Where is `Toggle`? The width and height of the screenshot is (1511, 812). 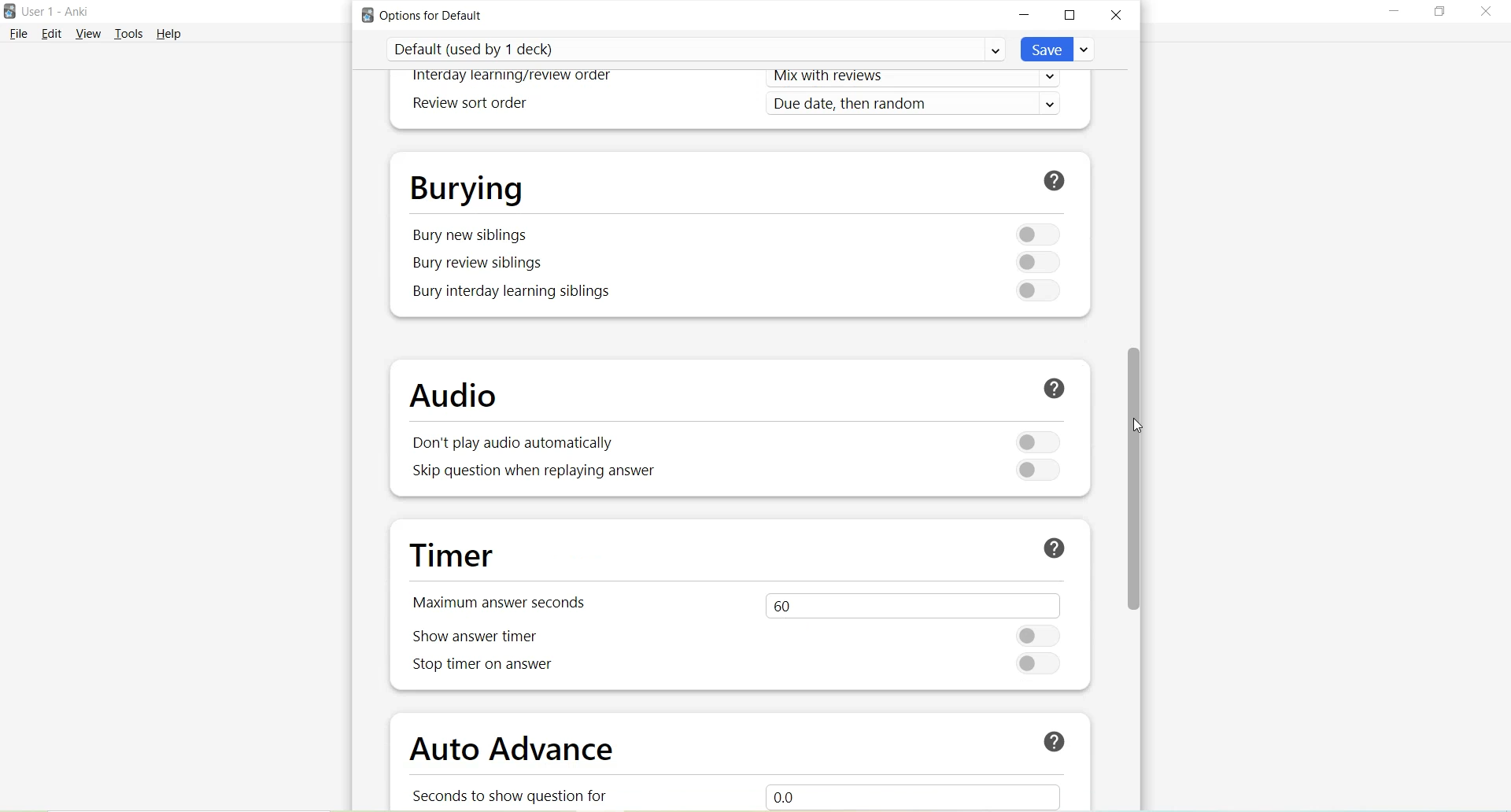 Toggle is located at coordinates (1038, 441).